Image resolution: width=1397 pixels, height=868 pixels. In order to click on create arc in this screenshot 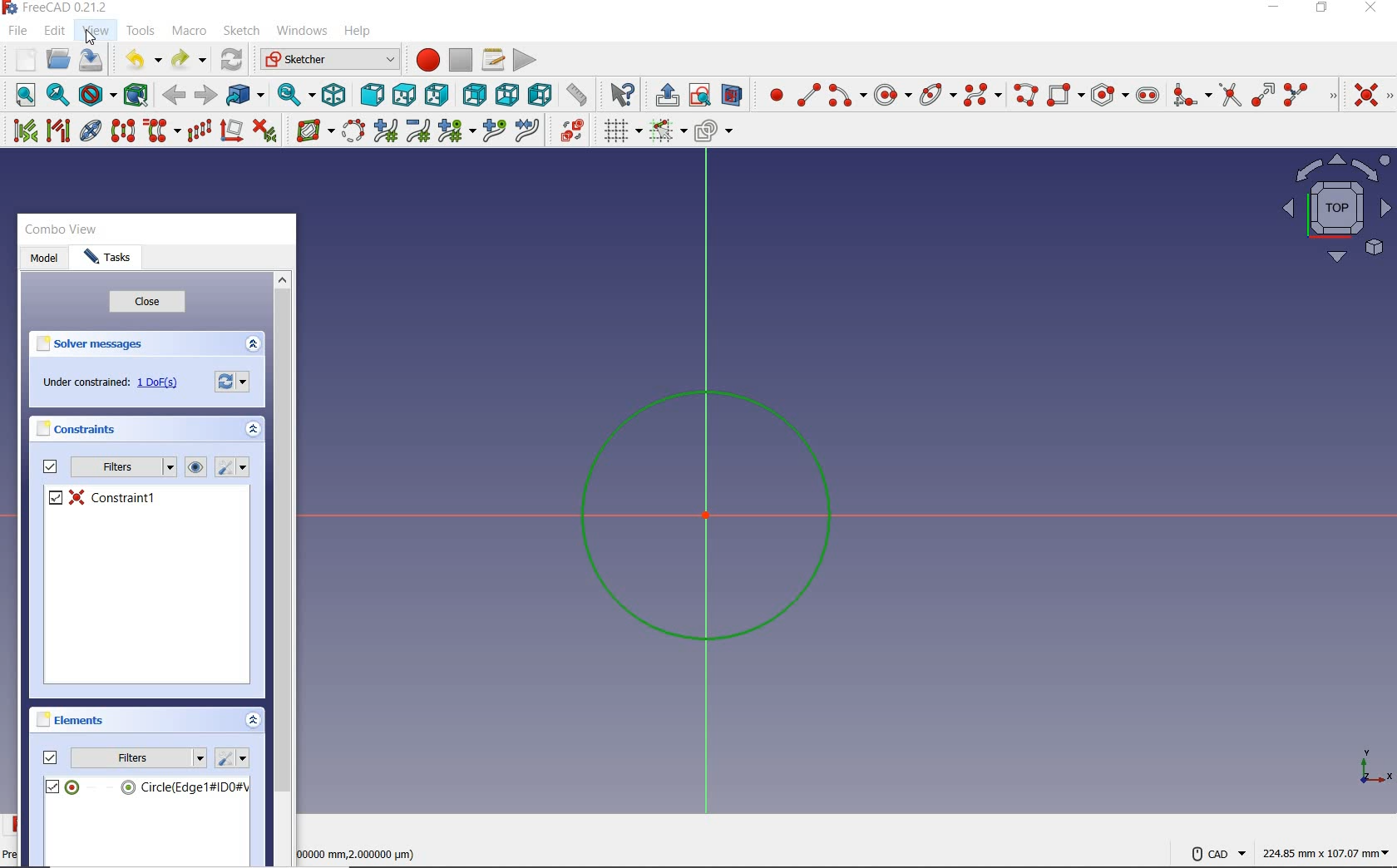, I will do `click(847, 96)`.